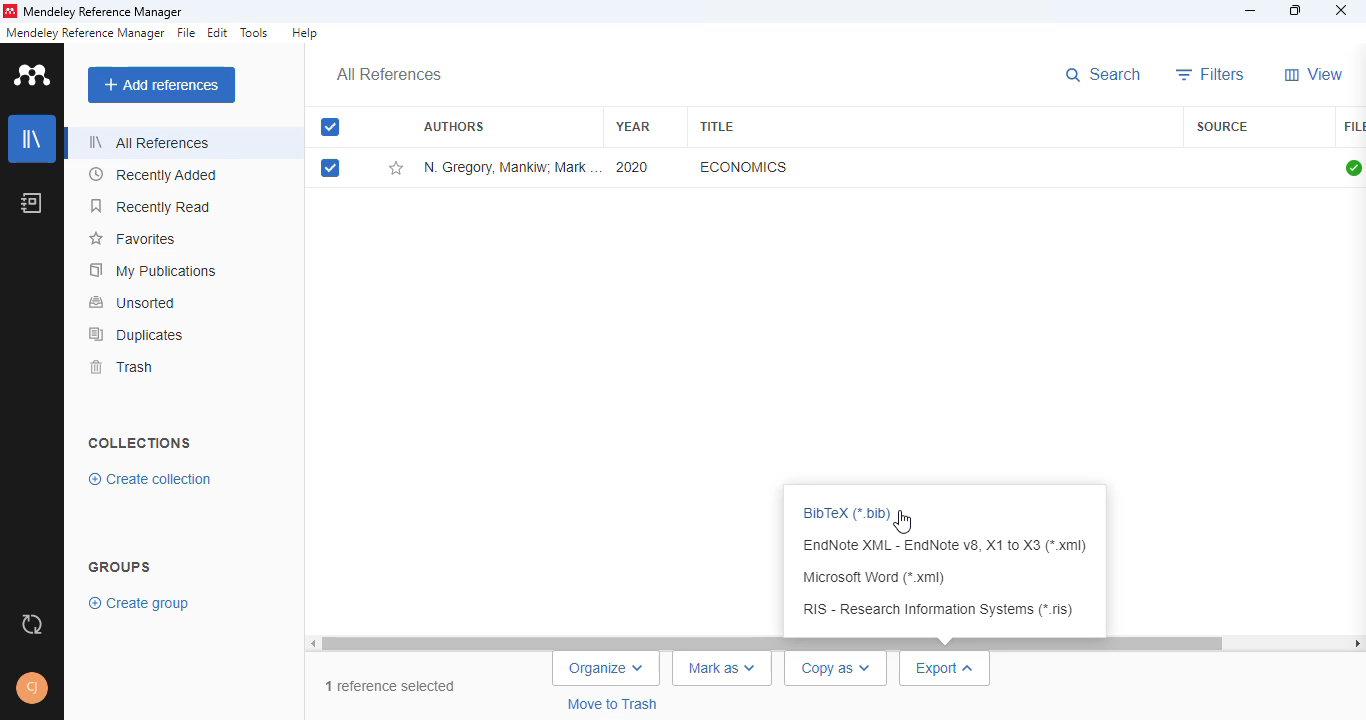 Image resolution: width=1366 pixels, height=720 pixels. What do you see at coordinates (330, 127) in the screenshot?
I see `selected` at bounding box center [330, 127].